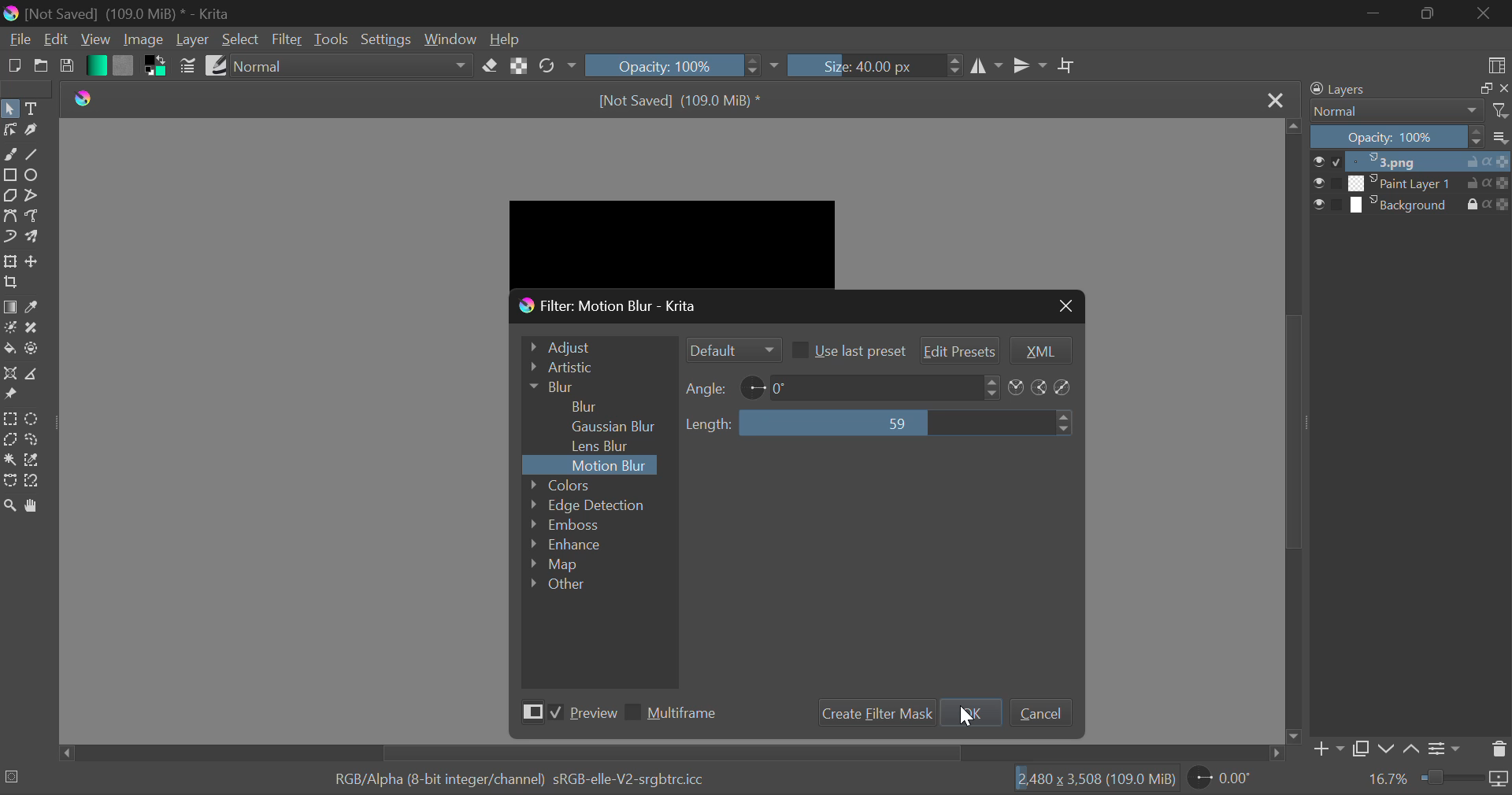 This screenshot has height=795, width=1512. What do you see at coordinates (1412, 162) in the screenshot?
I see `3.png` at bounding box center [1412, 162].